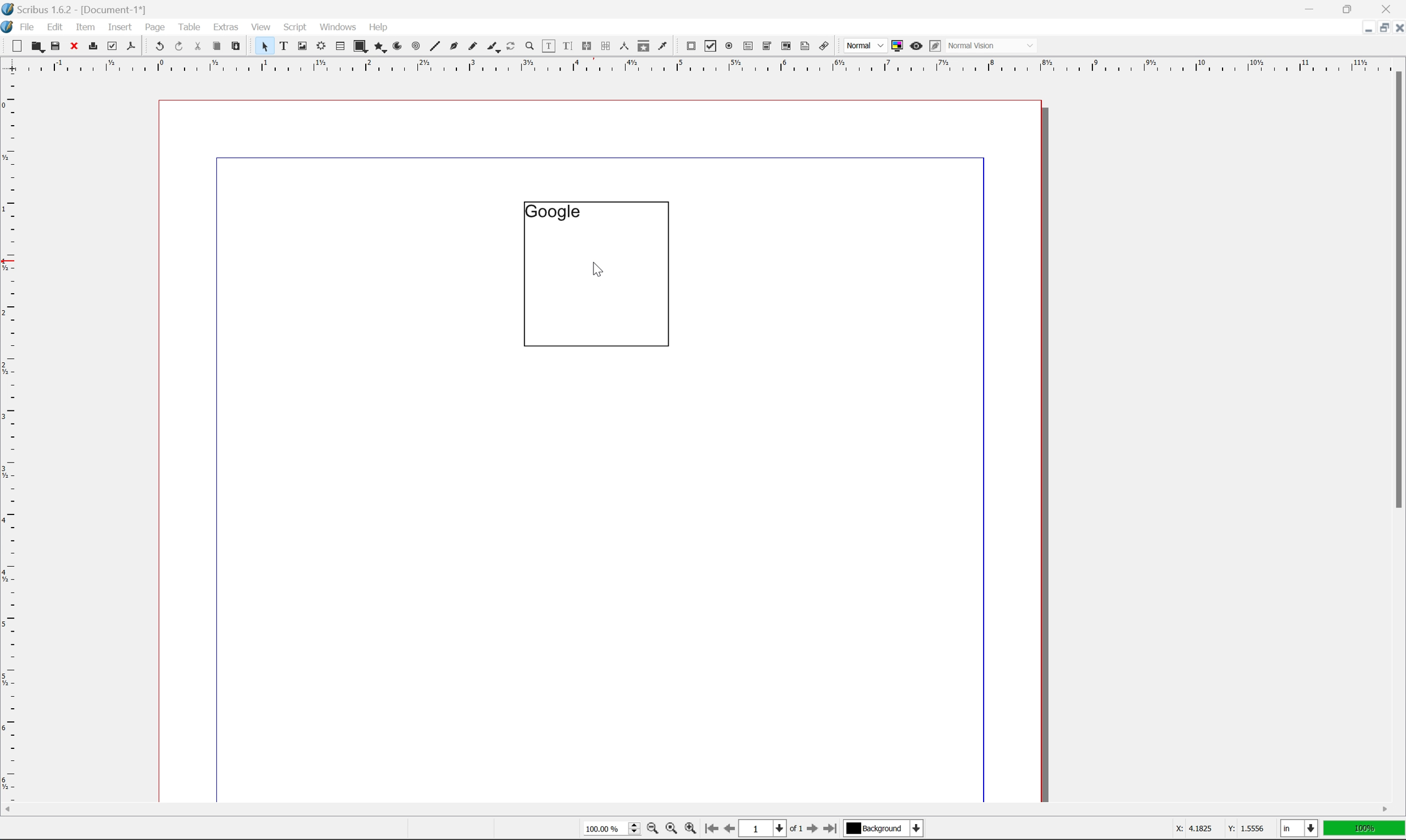 The height and width of the screenshot is (840, 1406). What do you see at coordinates (882, 828) in the screenshot?
I see `select current layer` at bounding box center [882, 828].